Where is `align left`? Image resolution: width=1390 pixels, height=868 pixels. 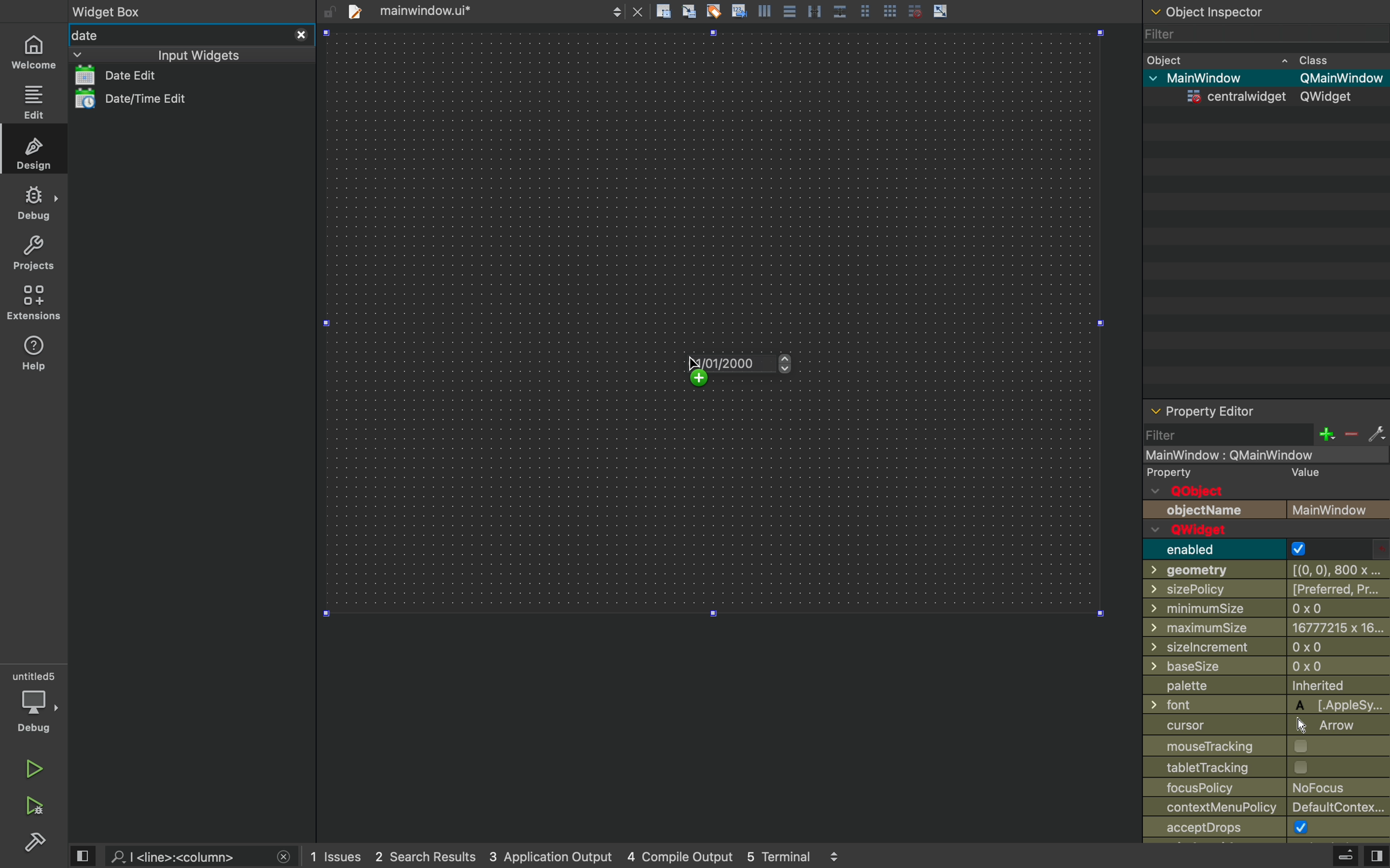 align left is located at coordinates (763, 10).